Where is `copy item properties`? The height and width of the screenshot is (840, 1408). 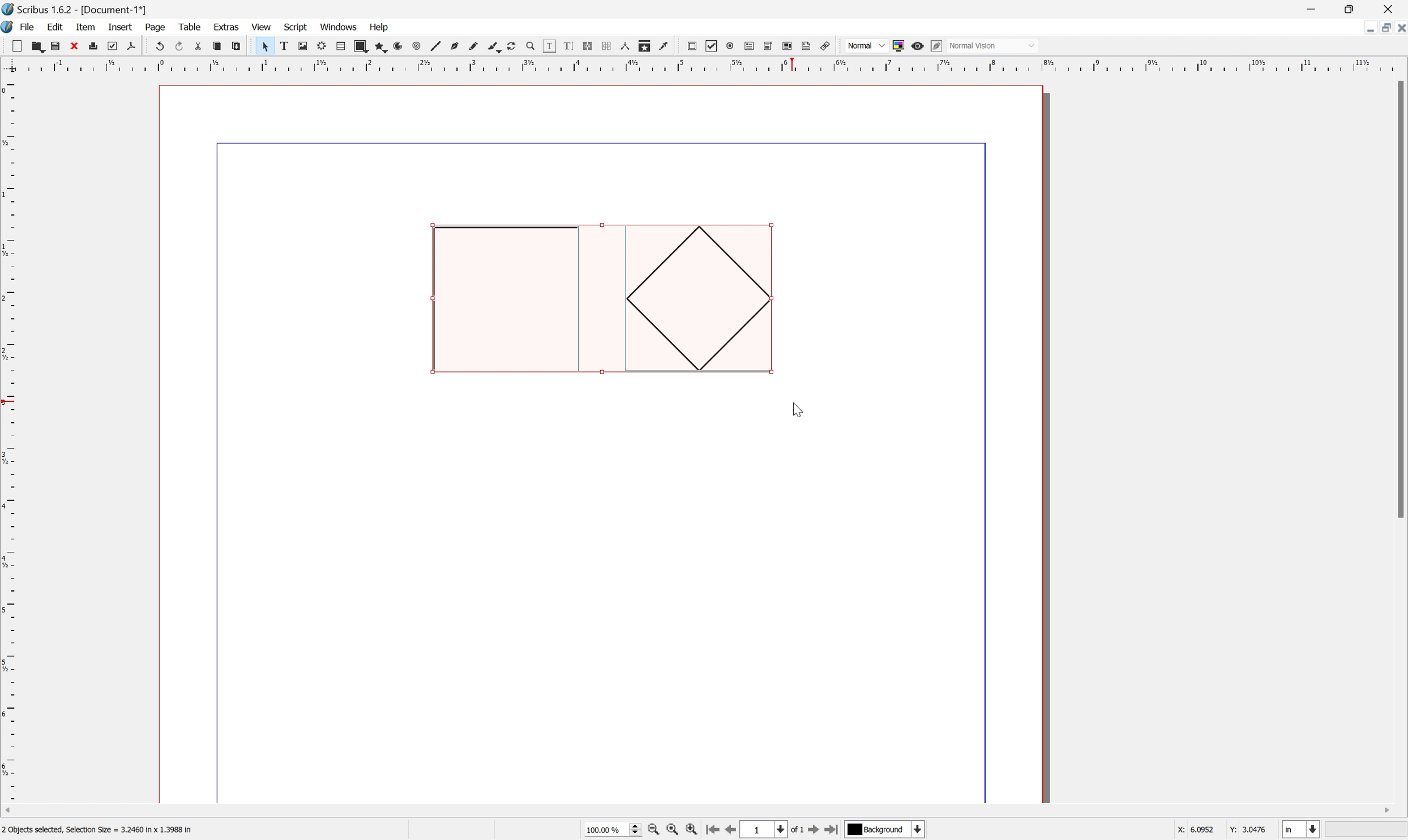
copy item properties is located at coordinates (643, 44).